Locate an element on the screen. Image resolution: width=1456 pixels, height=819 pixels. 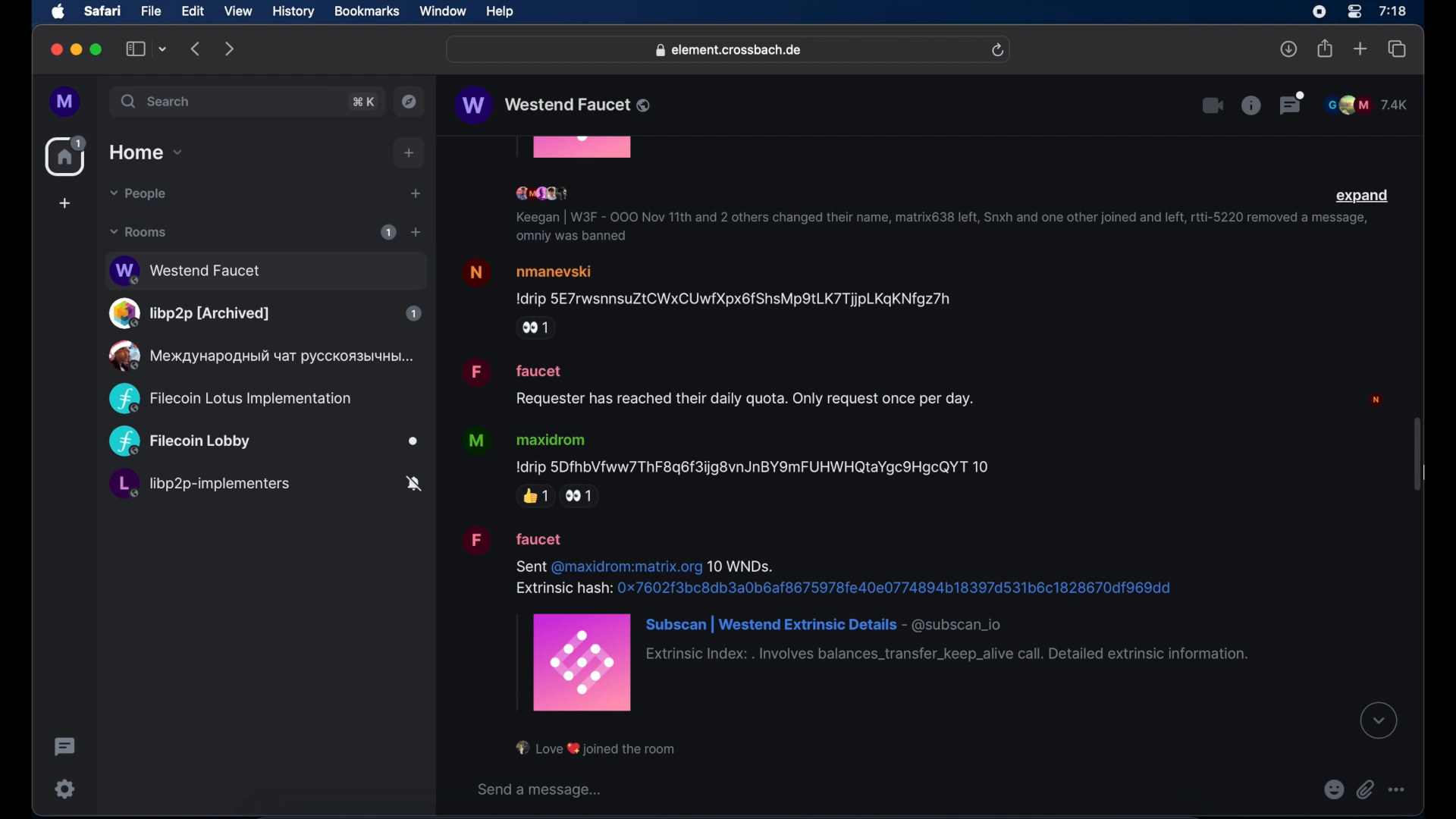
share is located at coordinates (1326, 49).